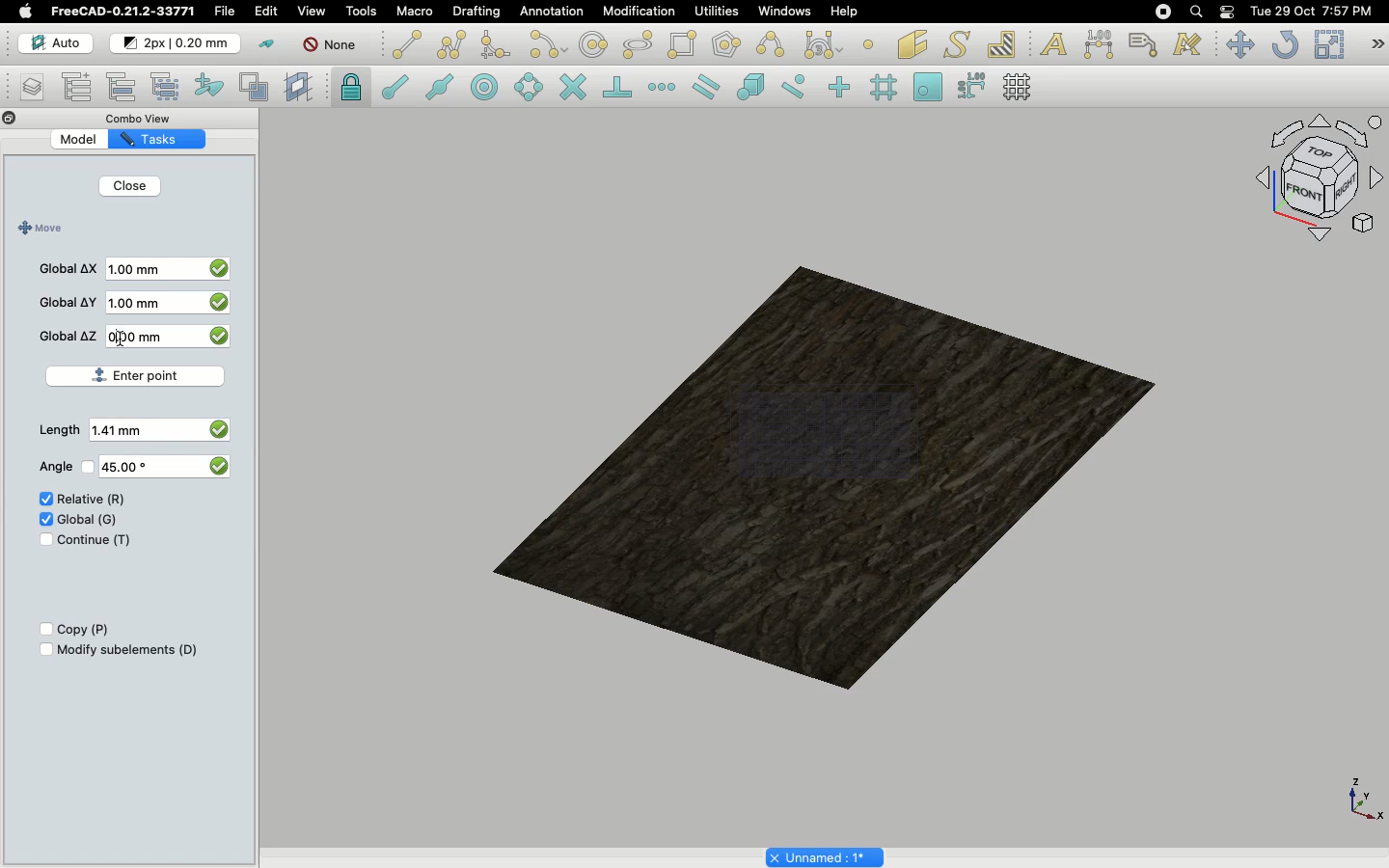 This screenshot has width=1389, height=868. I want to click on Utilities, so click(717, 12).